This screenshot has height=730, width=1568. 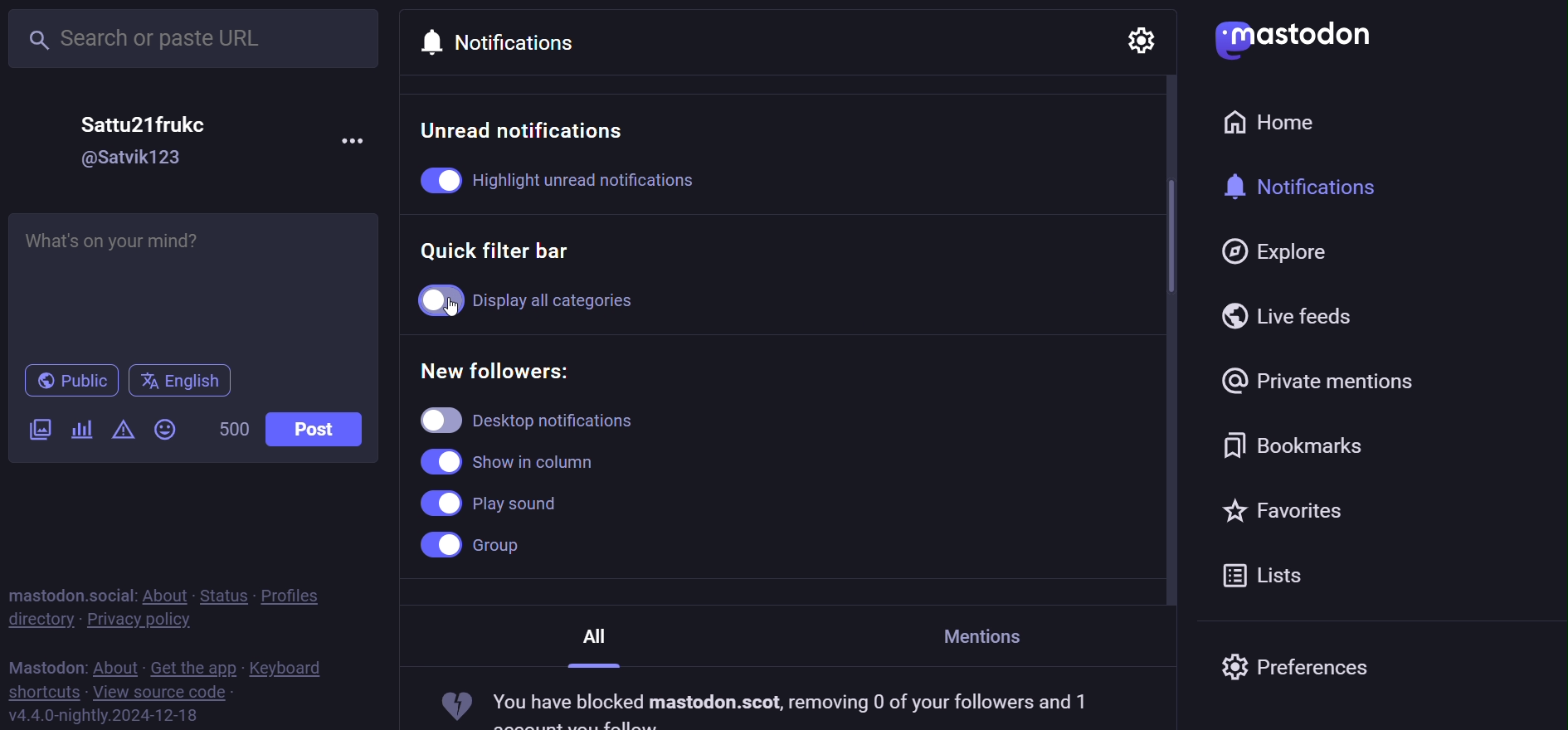 I want to click on view source code, so click(x=162, y=693).